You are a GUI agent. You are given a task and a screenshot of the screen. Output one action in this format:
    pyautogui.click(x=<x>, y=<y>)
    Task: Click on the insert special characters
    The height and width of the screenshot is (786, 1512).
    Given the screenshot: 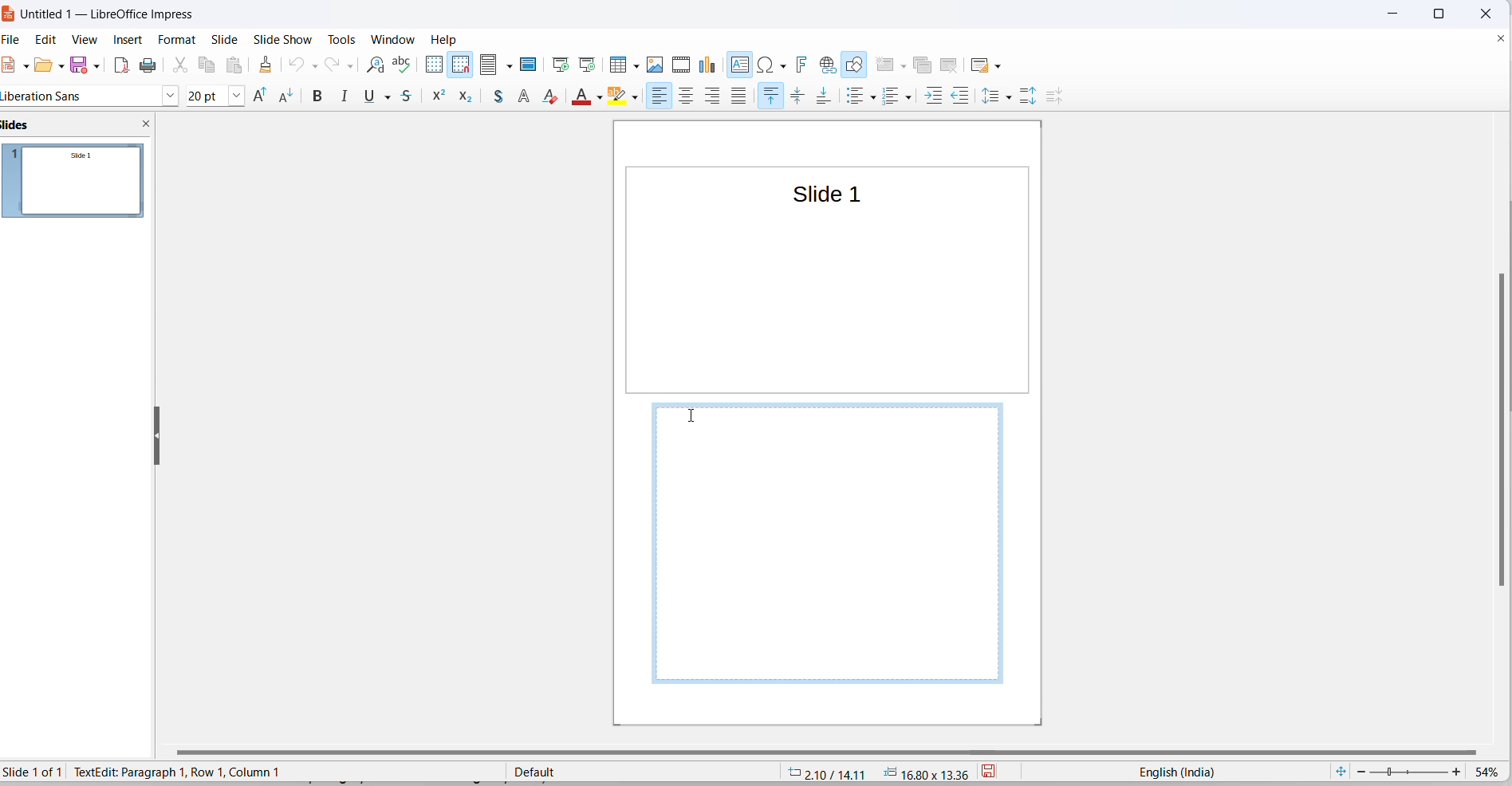 What is the action you would take?
    pyautogui.click(x=765, y=65)
    